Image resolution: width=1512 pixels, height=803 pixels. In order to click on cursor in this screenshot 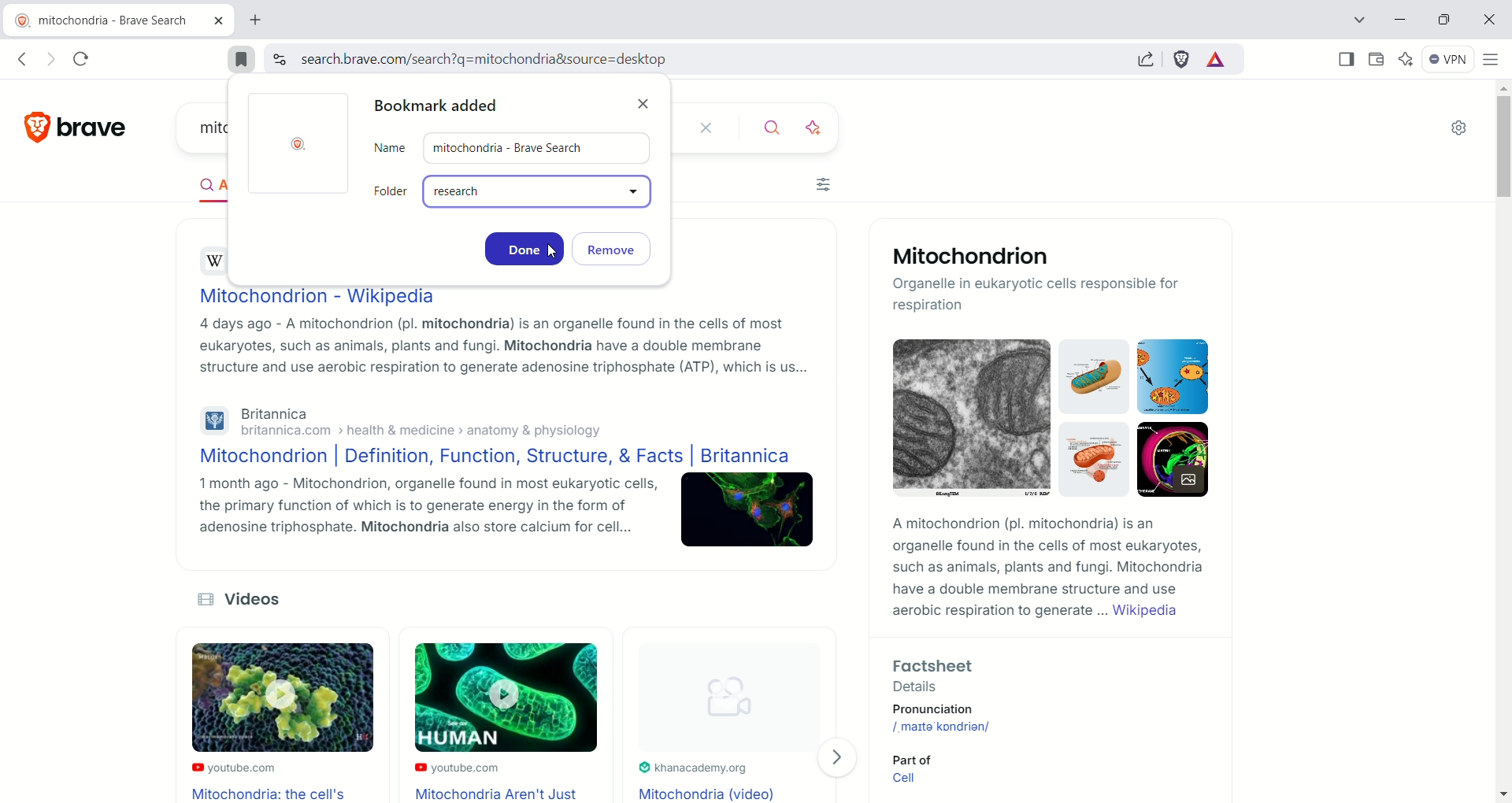, I will do `click(554, 250)`.